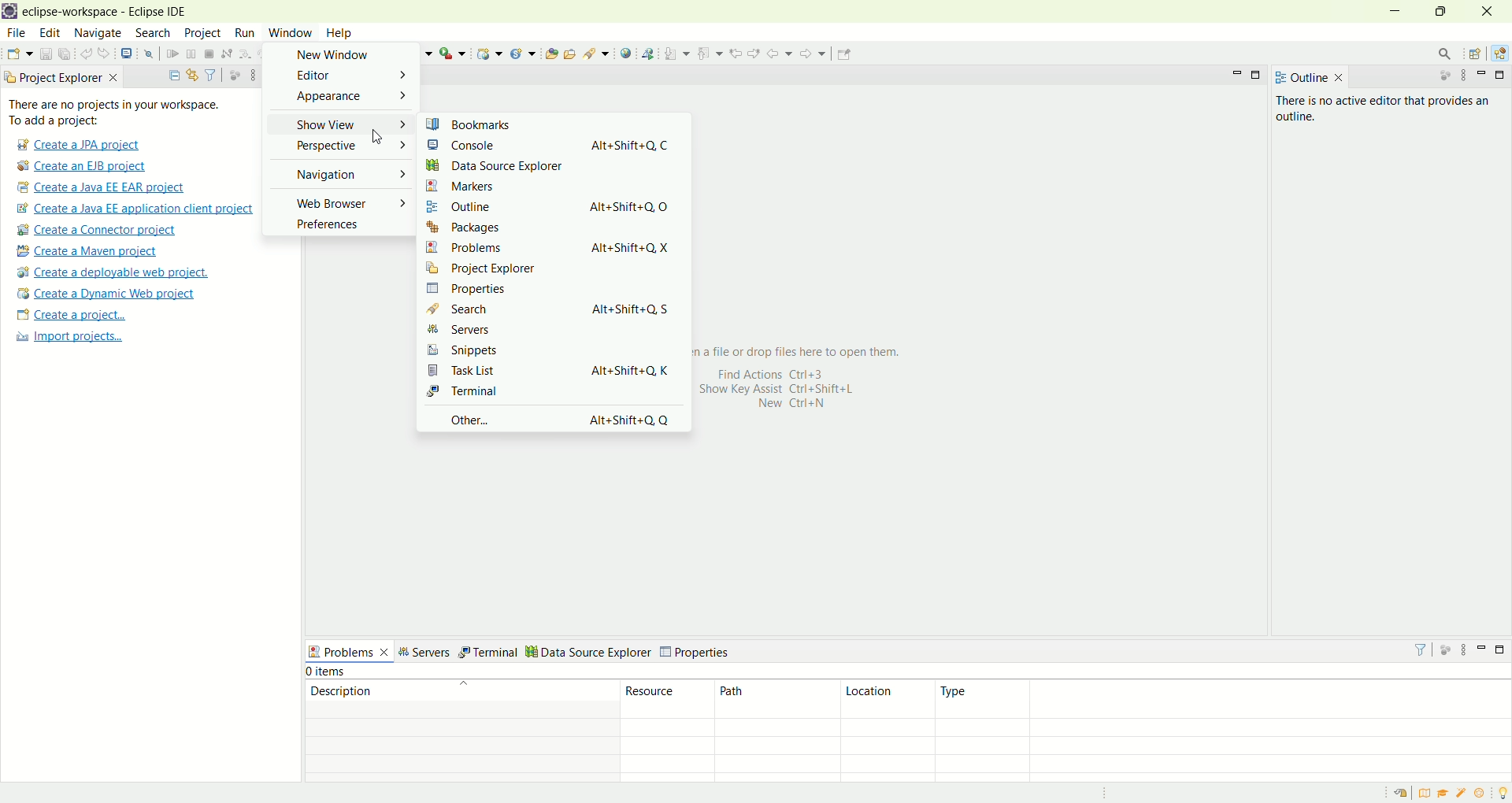 This screenshot has width=1512, height=803. What do you see at coordinates (99, 32) in the screenshot?
I see `navigate` at bounding box center [99, 32].